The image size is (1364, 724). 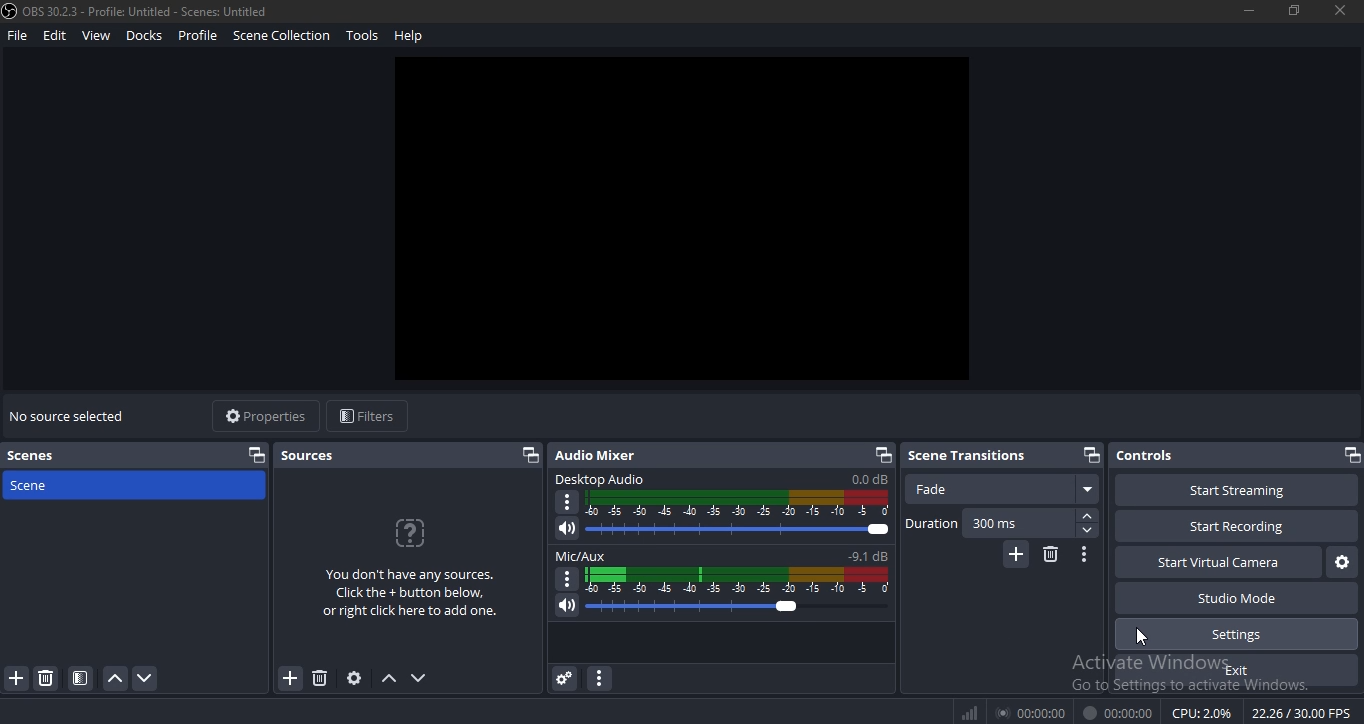 What do you see at coordinates (411, 531) in the screenshot?
I see `icon` at bounding box center [411, 531].